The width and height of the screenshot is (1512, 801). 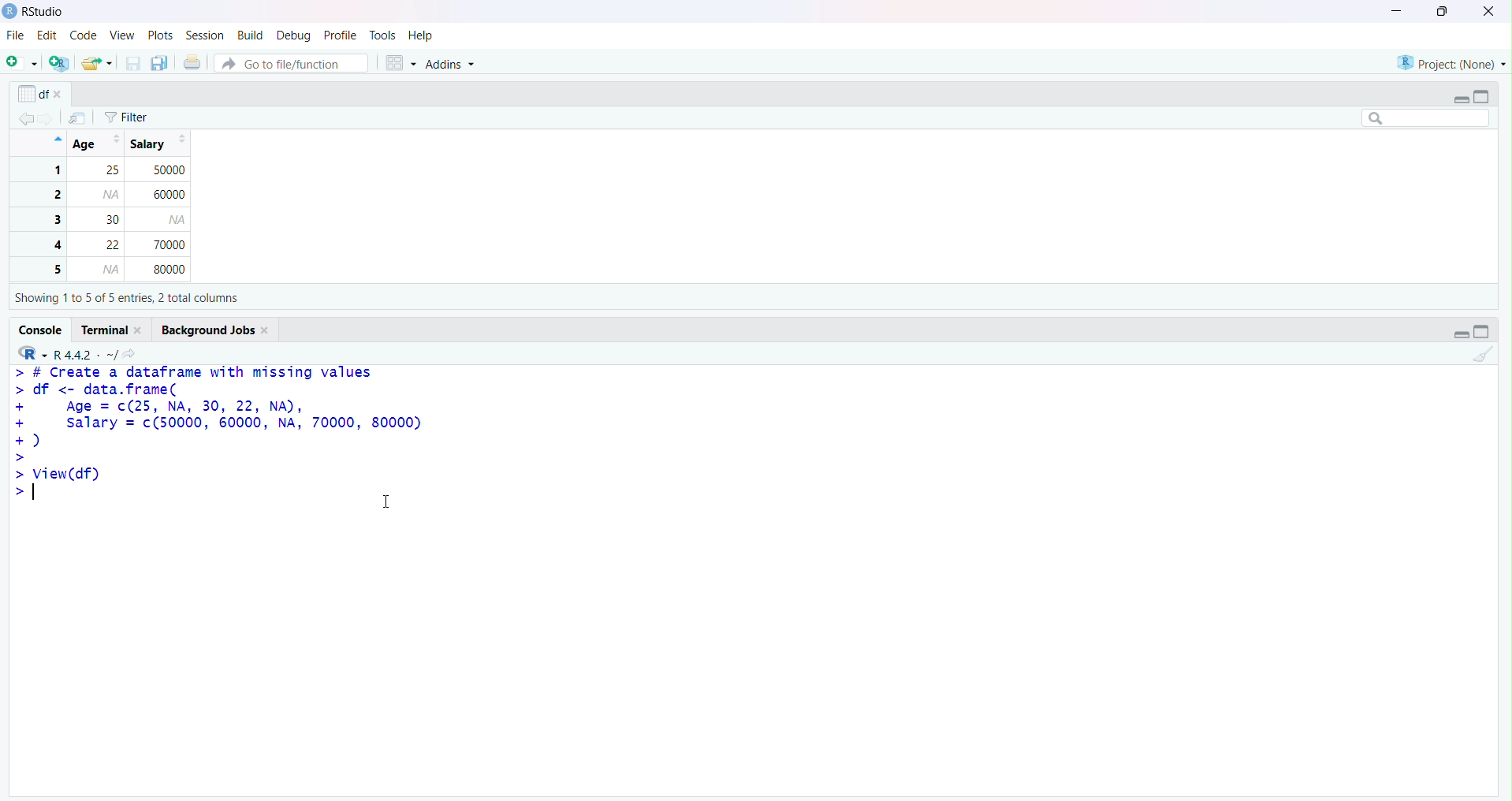 I want to click on Go back to the previous source location (Ctrl + F9), so click(x=25, y=117).